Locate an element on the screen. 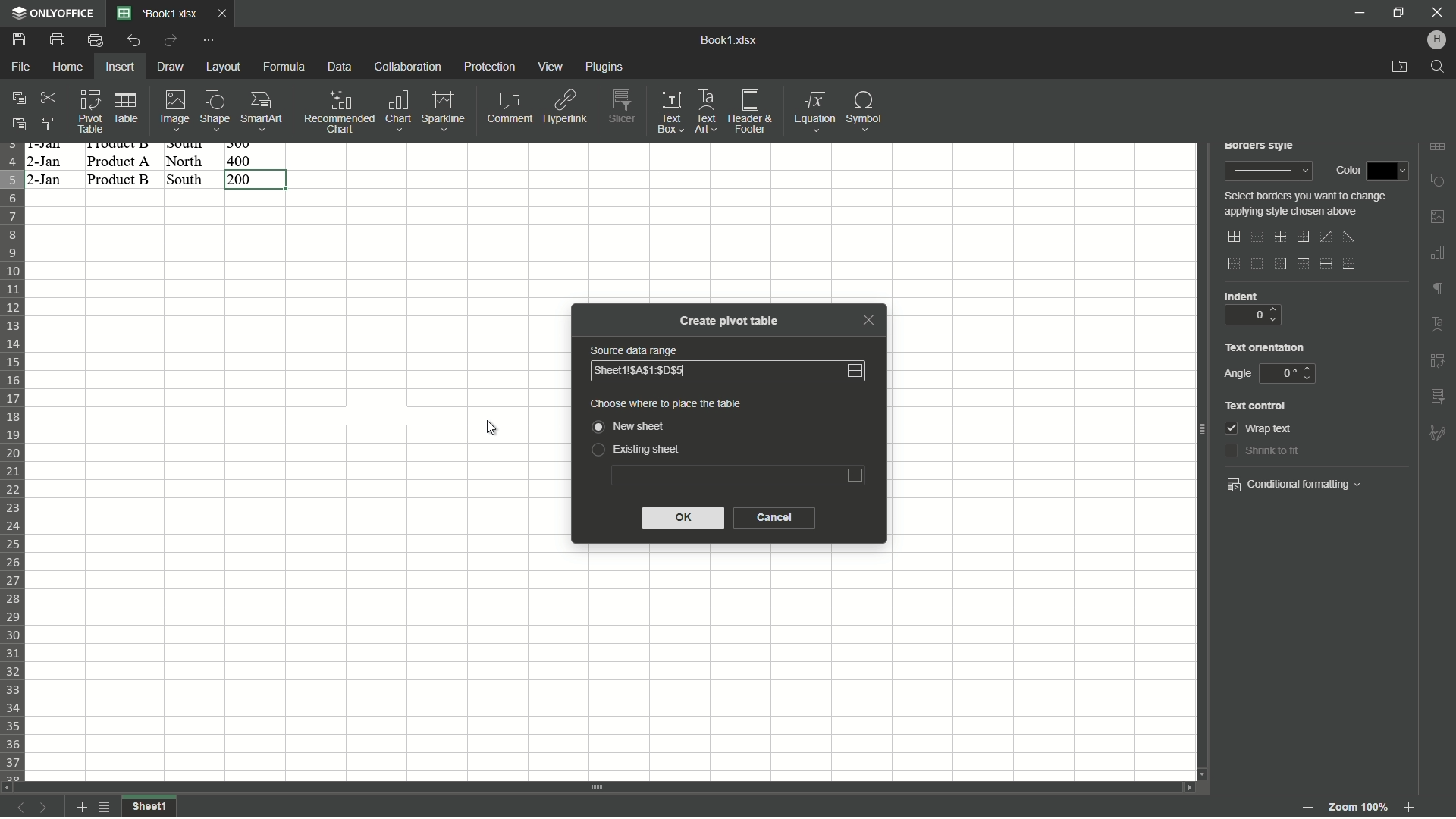  angle is located at coordinates (1240, 375).